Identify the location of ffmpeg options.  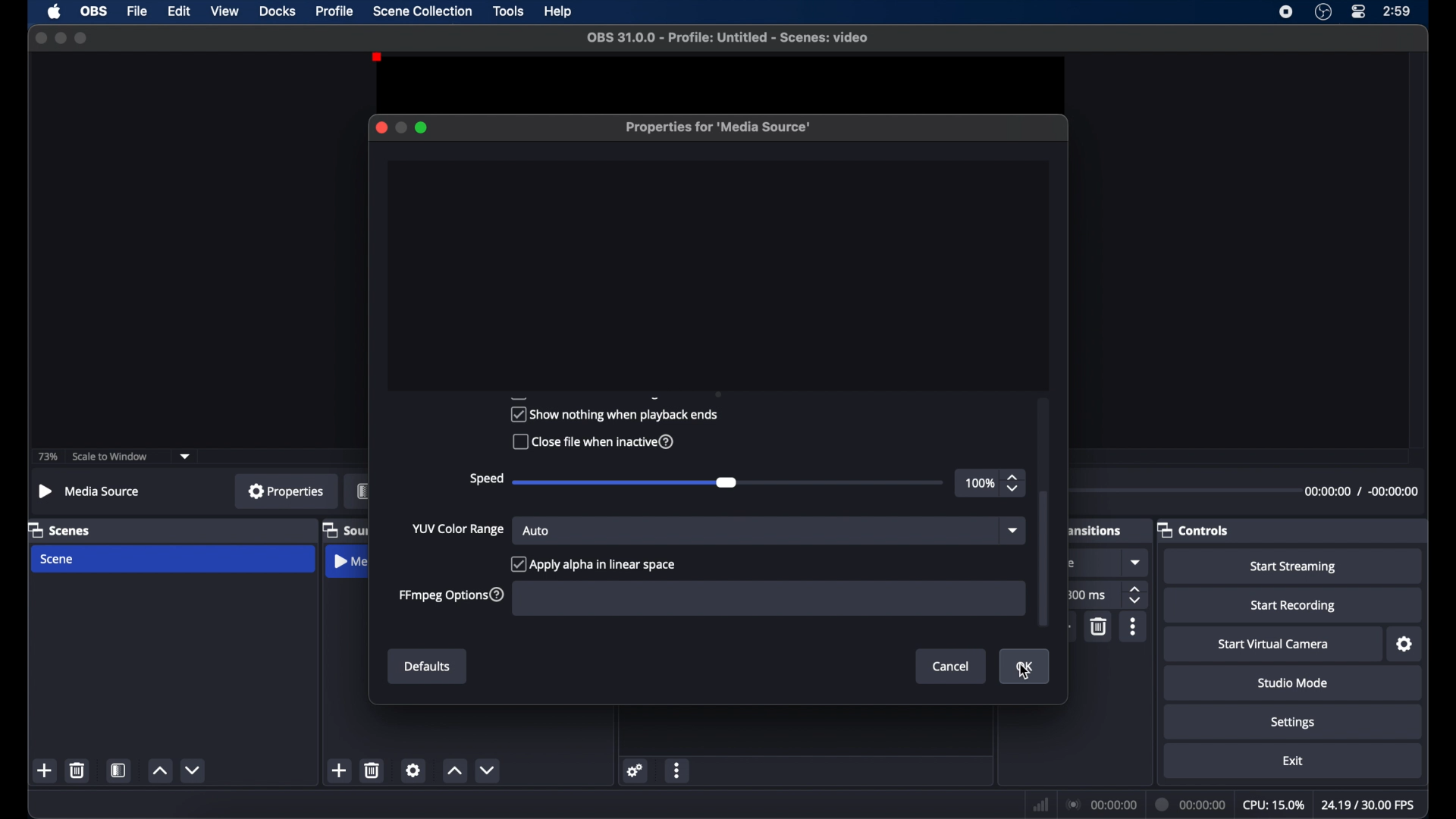
(452, 595).